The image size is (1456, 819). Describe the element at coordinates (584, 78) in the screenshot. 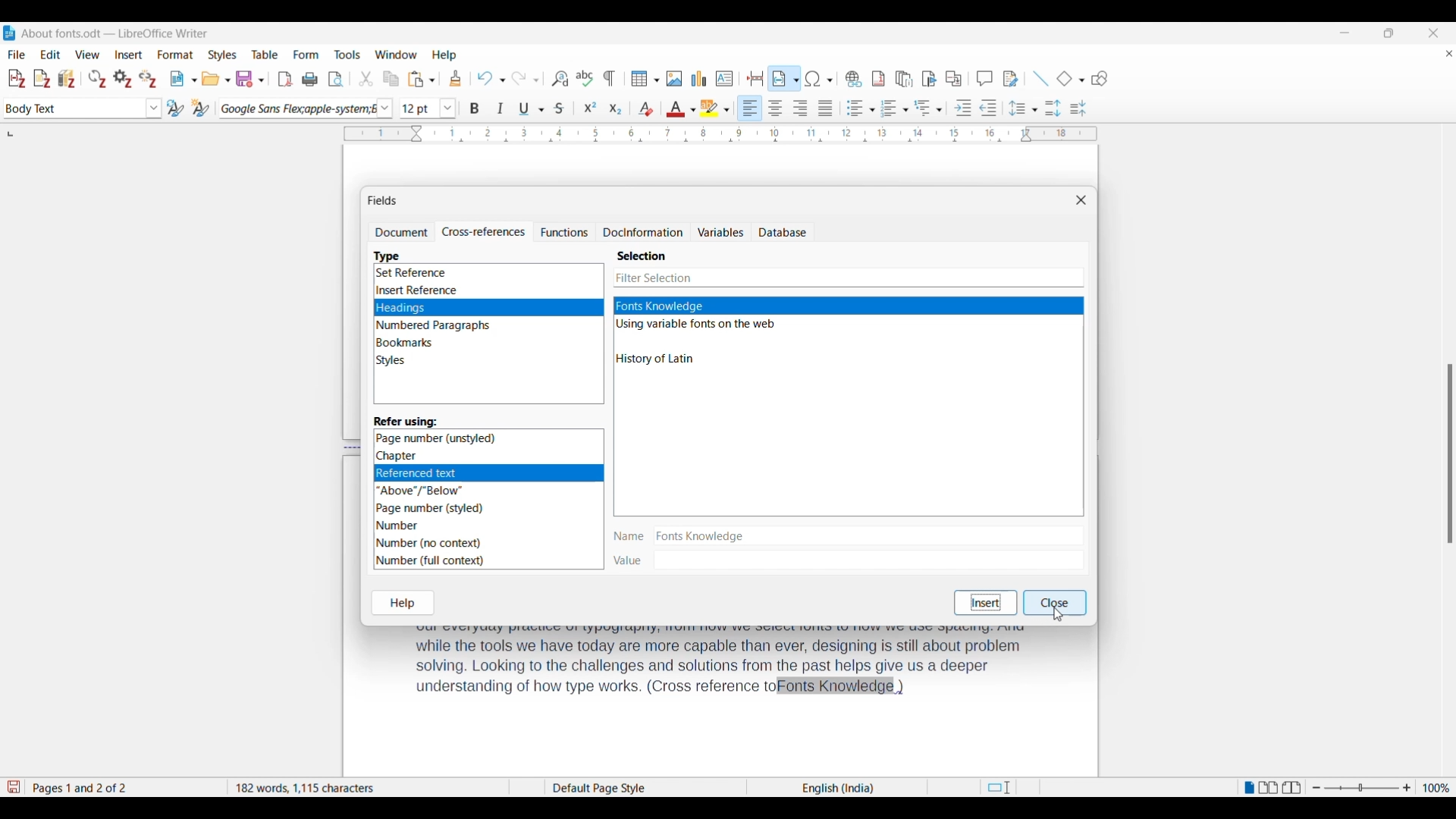

I see `Check spelling` at that location.